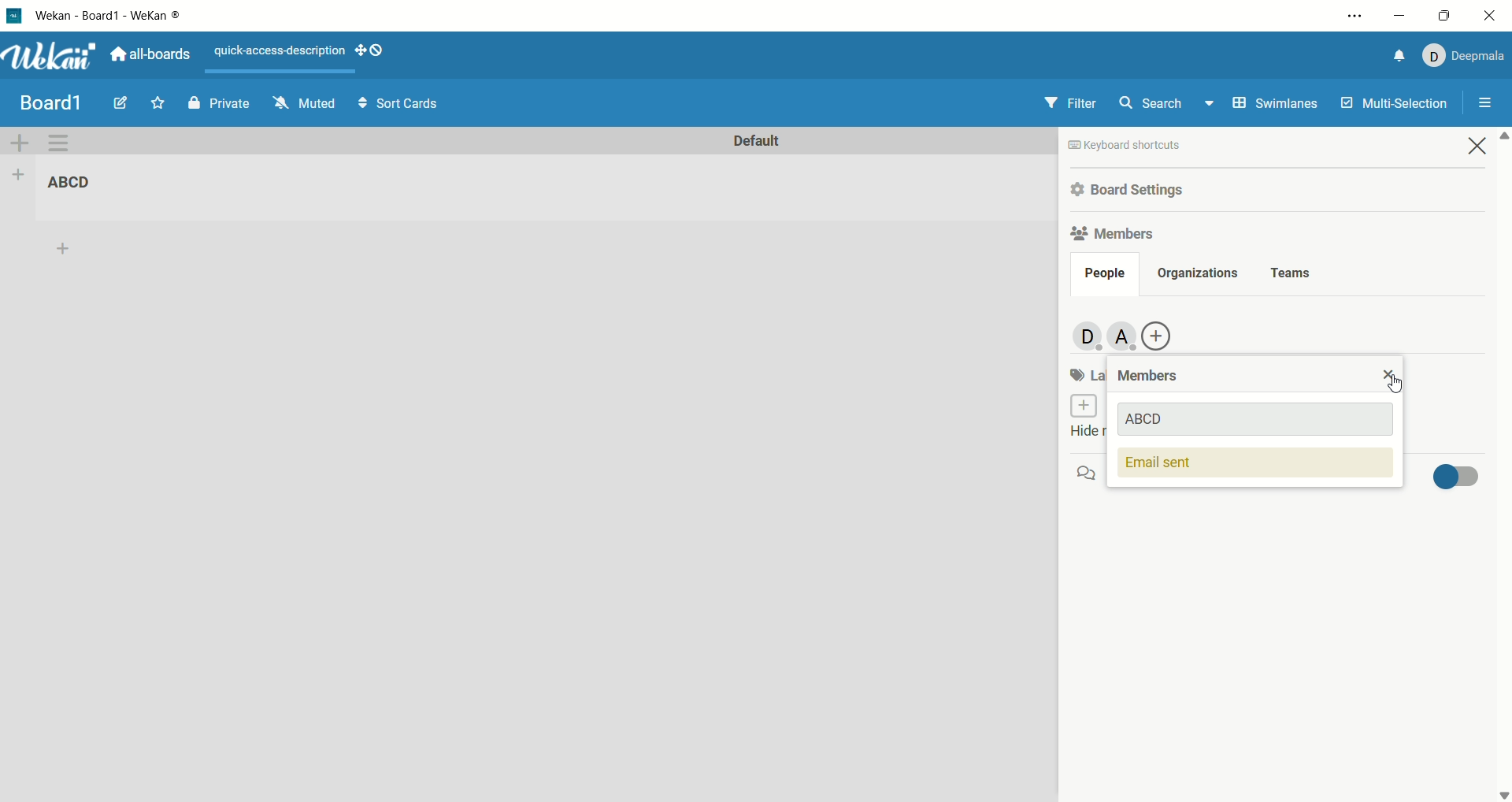 This screenshot has width=1512, height=802. I want to click on add, so click(1159, 336).